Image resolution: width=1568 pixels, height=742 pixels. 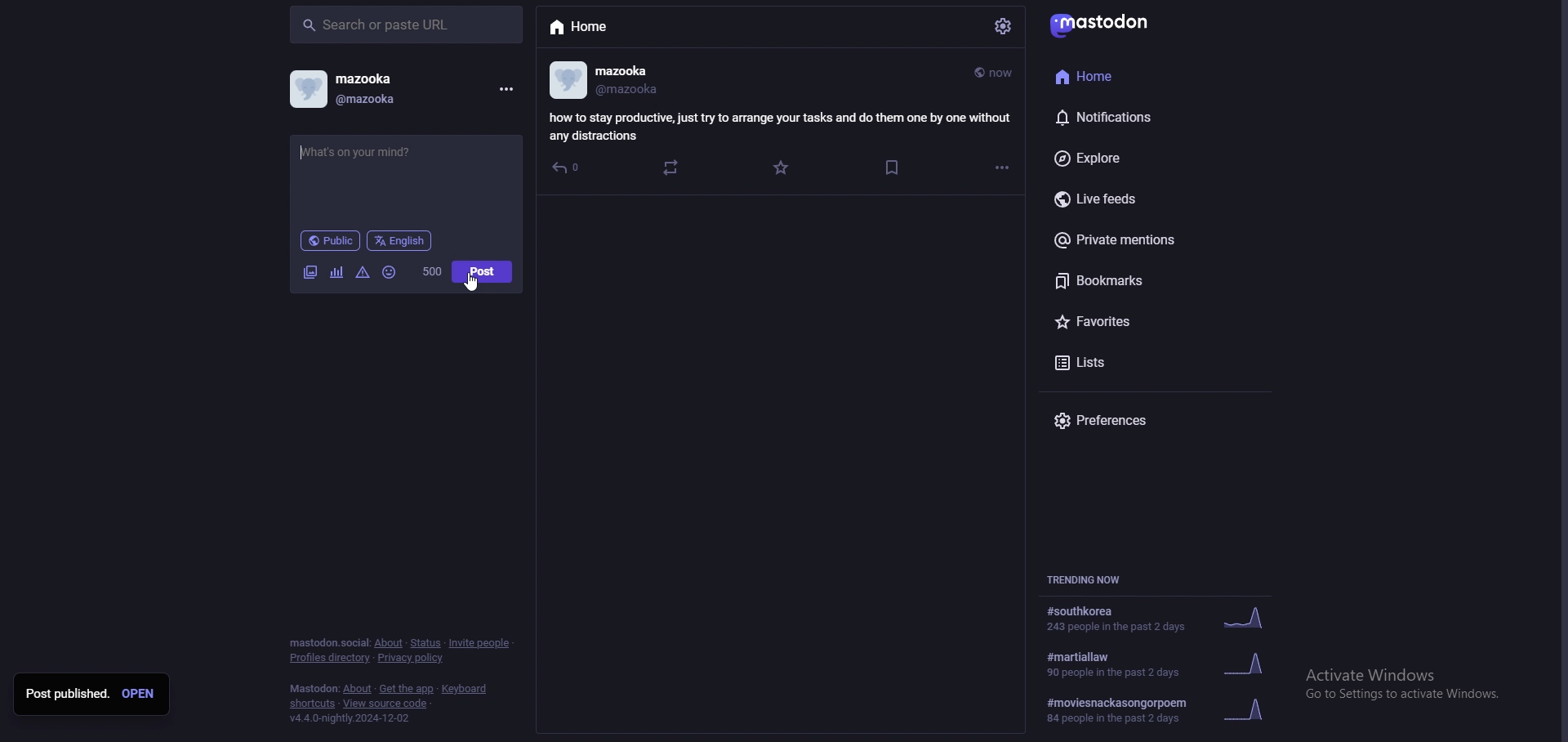 What do you see at coordinates (1139, 199) in the screenshot?
I see `live feeds` at bounding box center [1139, 199].